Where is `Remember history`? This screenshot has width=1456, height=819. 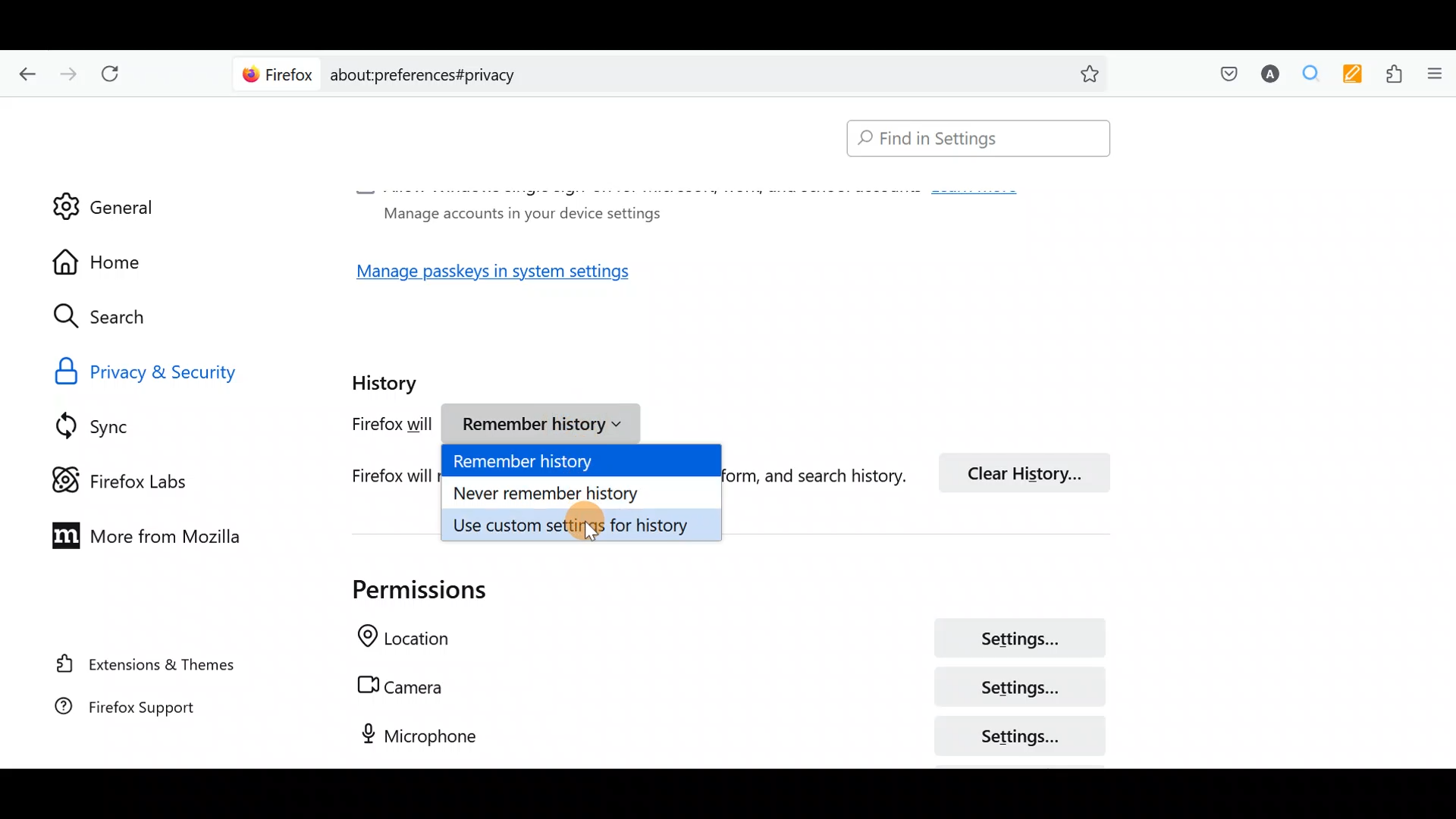
Remember history is located at coordinates (584, 462).